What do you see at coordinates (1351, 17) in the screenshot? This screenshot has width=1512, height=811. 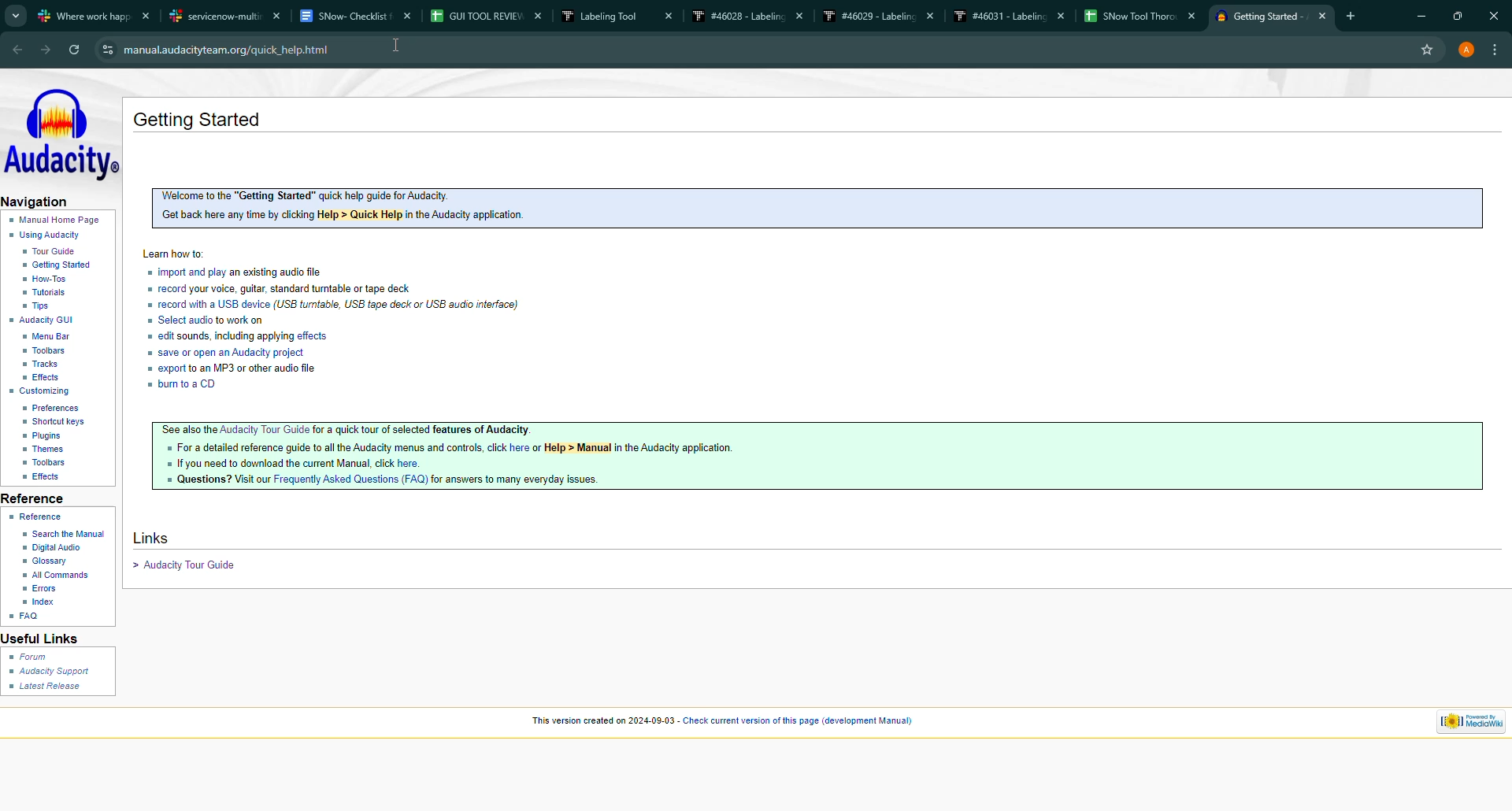 I see `add tab` at bounding box center [1351, 17].